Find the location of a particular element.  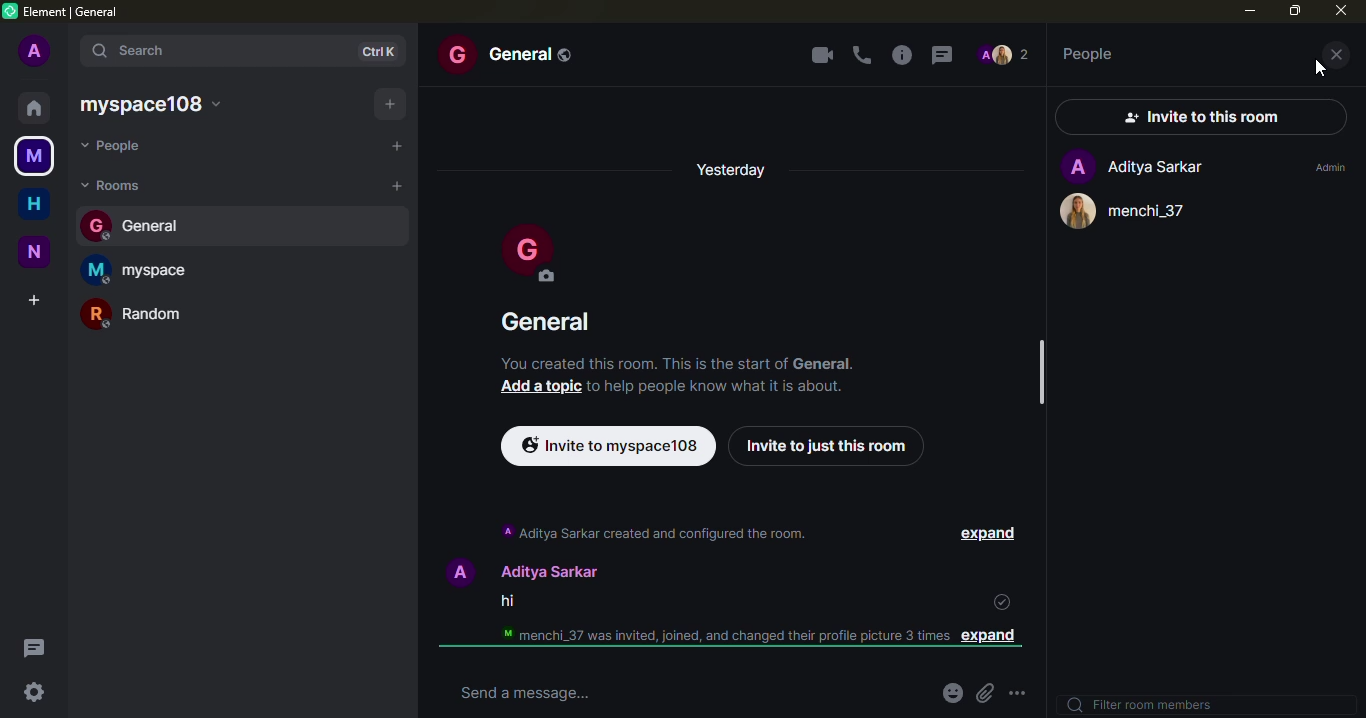

add is located at coordinates (36, 297).